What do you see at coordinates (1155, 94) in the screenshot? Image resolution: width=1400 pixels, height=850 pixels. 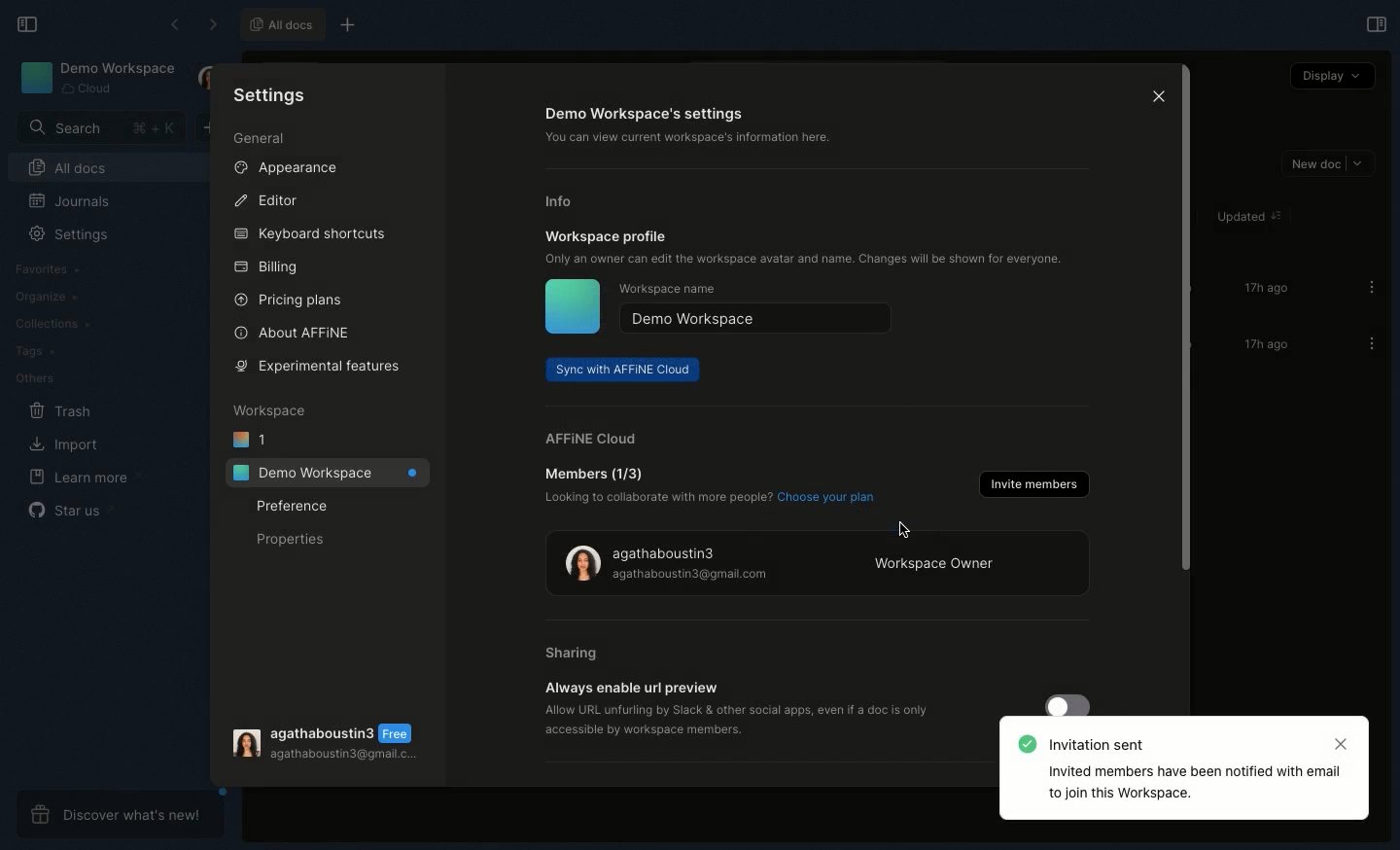 I see `Close icon` at bounding box center [1155, 94].